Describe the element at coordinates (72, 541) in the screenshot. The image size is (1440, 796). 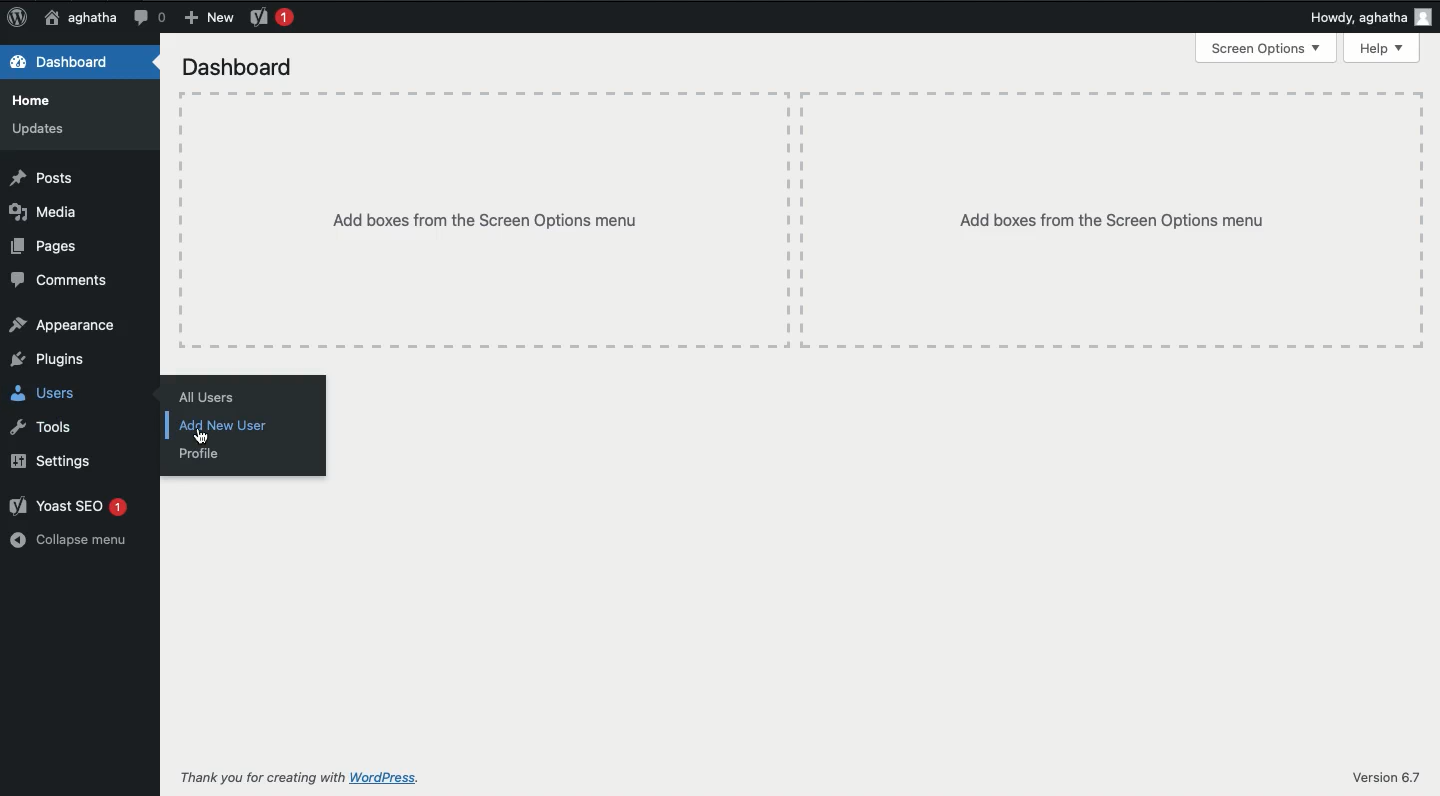
I see `Collapse menu` at that location.